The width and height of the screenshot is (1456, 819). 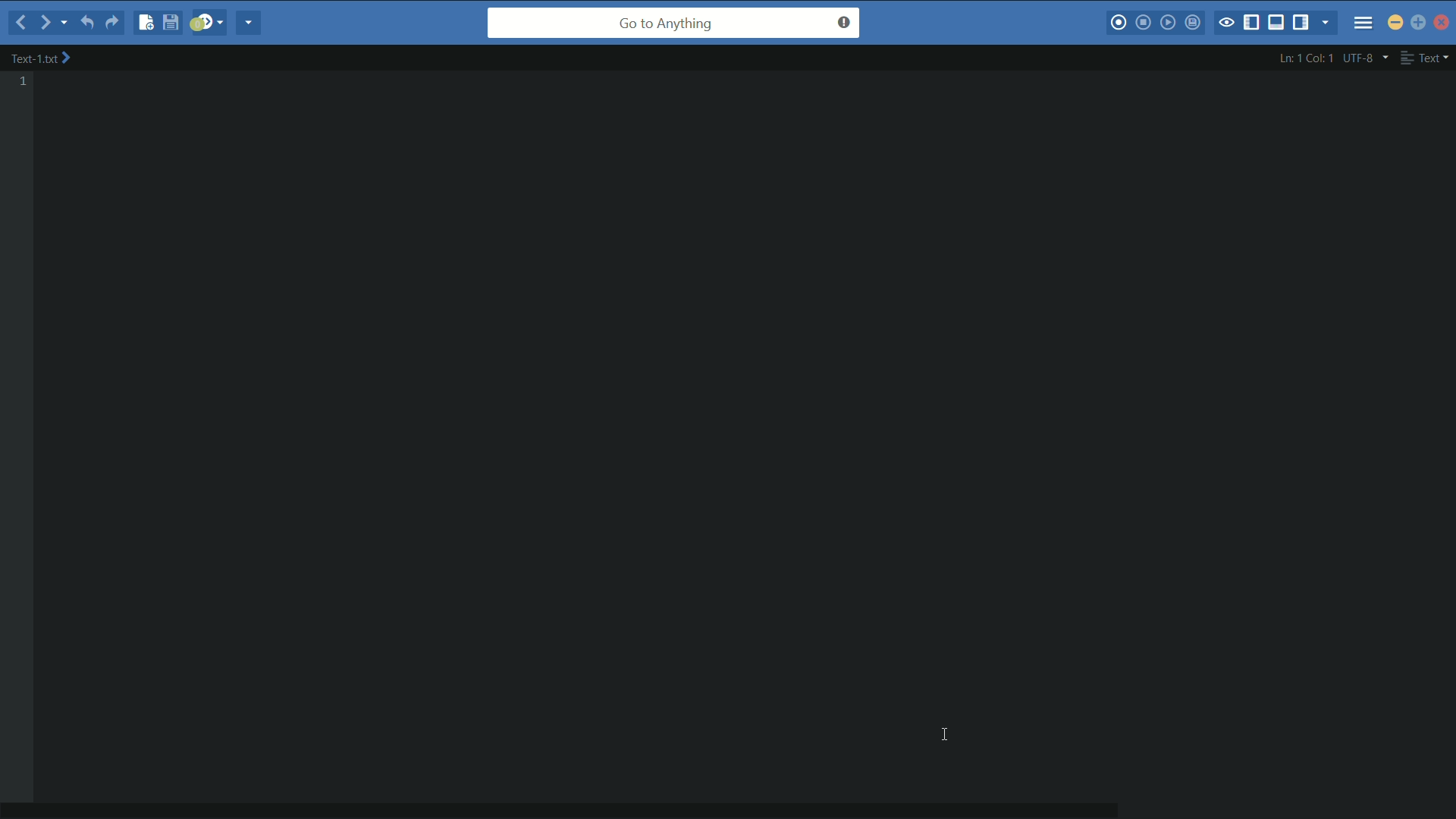 I want to click on utf-8, so click(x=1370, y=55).